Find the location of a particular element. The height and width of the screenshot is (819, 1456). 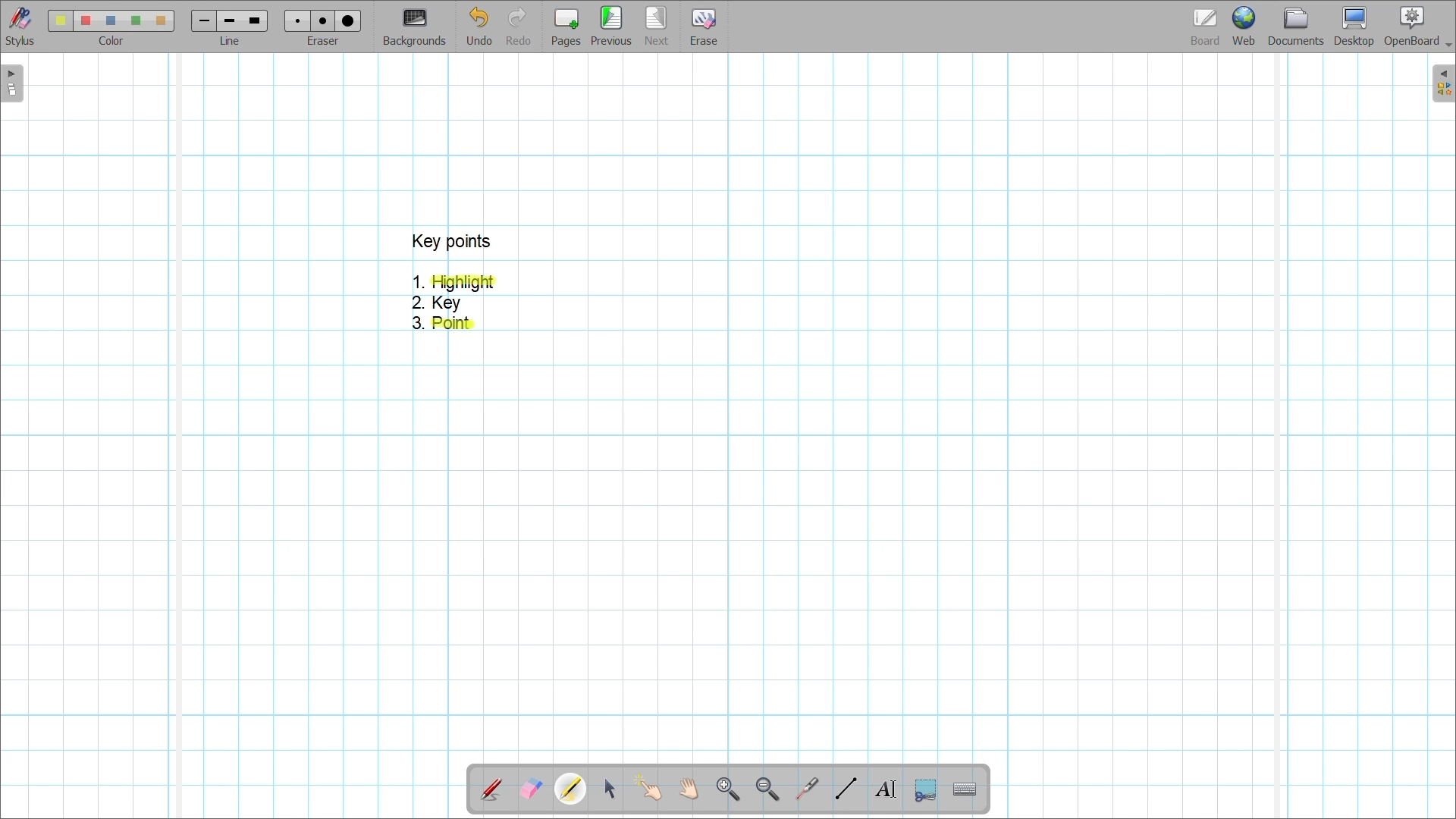

eraser 3 is located at coordinates (349, 20).